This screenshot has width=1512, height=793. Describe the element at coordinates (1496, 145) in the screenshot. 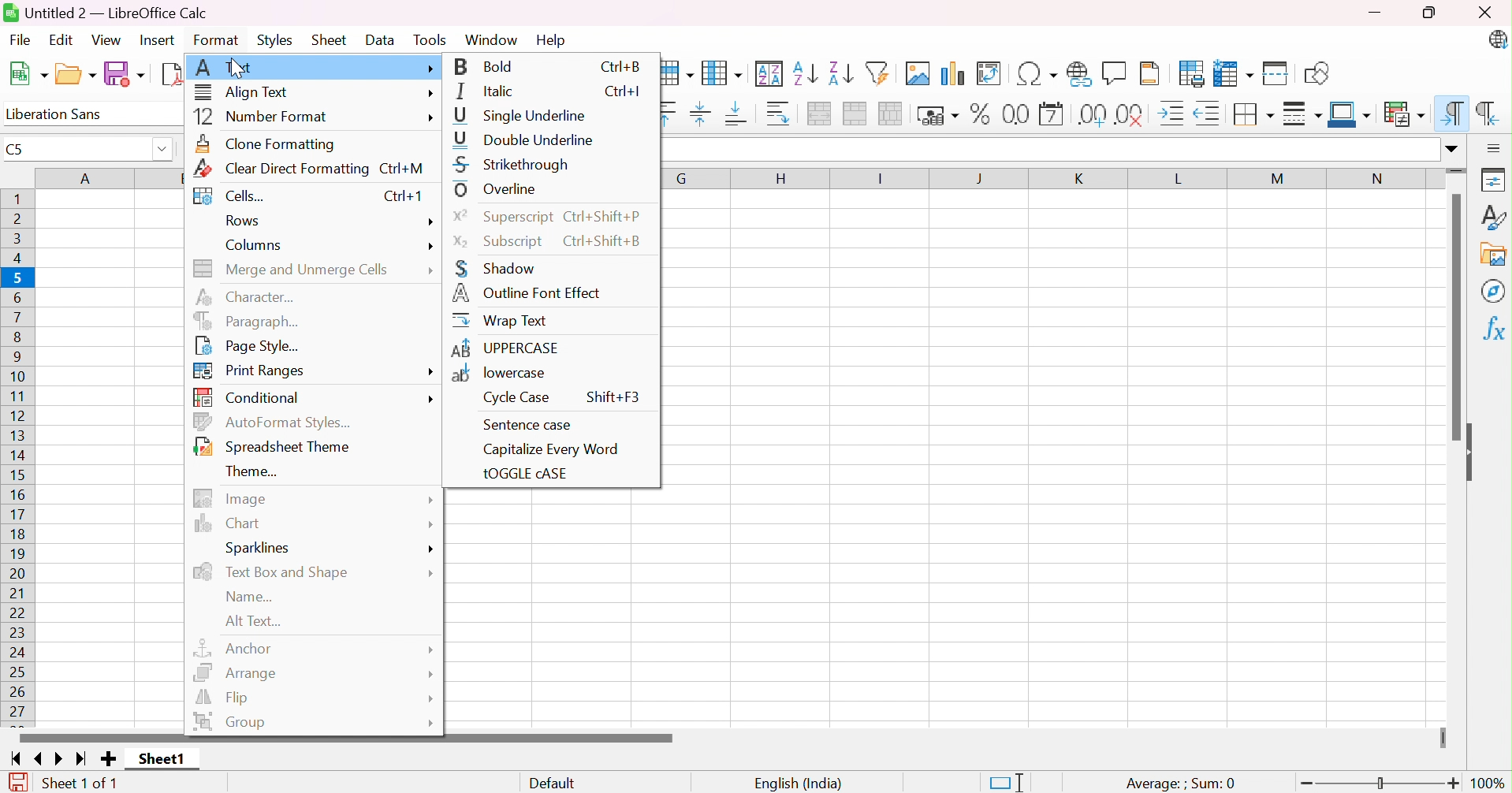

I see `Sidebar Settings` at that location.